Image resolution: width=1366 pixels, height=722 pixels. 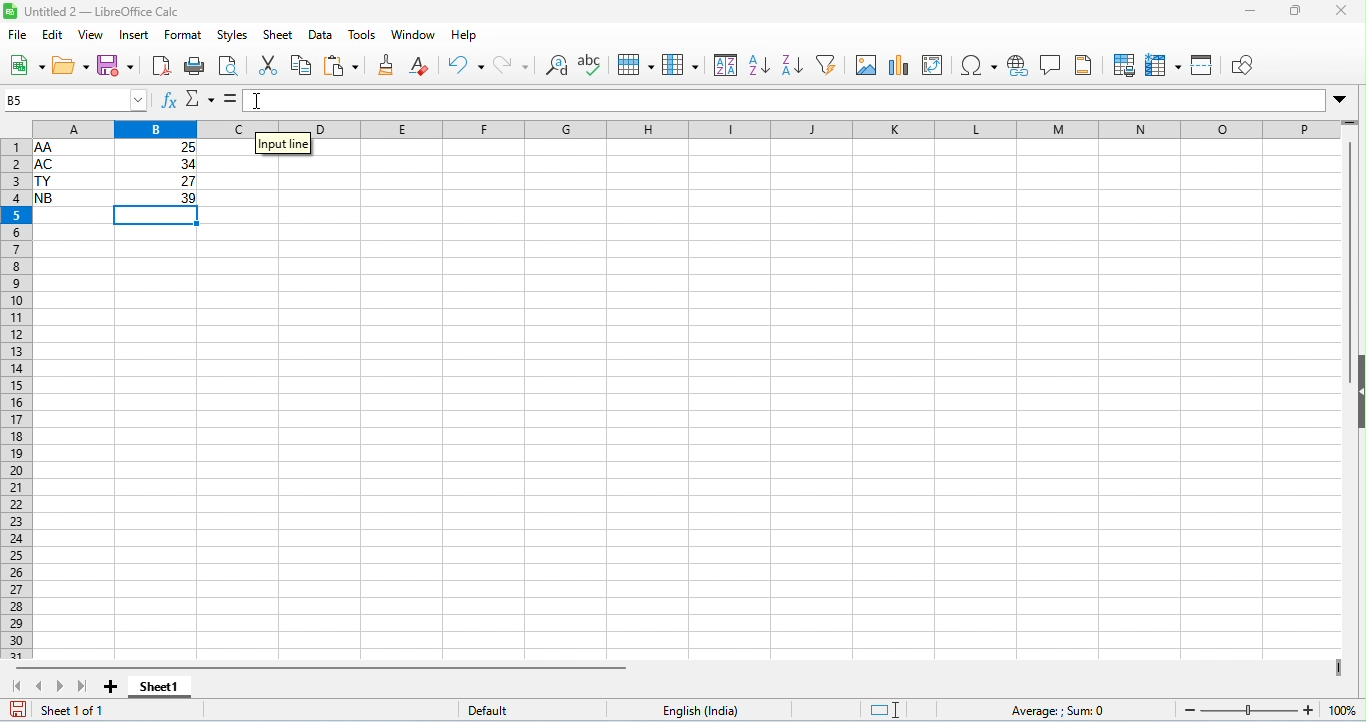 What do you see at coordinates (1061, 710) in the screenshot?
I see `formula` at bounding box center [1061, 710].